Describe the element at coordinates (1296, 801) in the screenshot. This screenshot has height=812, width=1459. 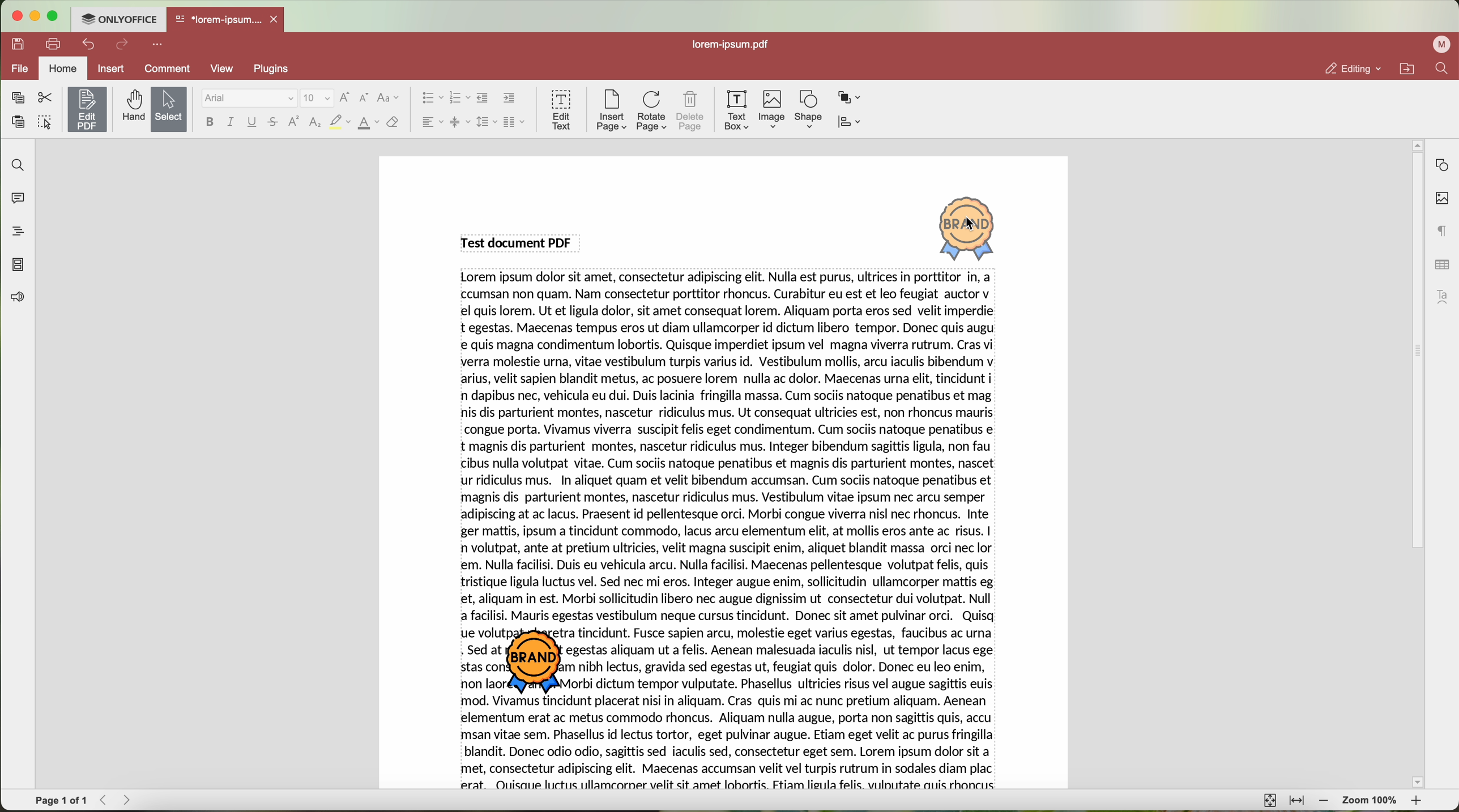
I see `fit to width` at that location.